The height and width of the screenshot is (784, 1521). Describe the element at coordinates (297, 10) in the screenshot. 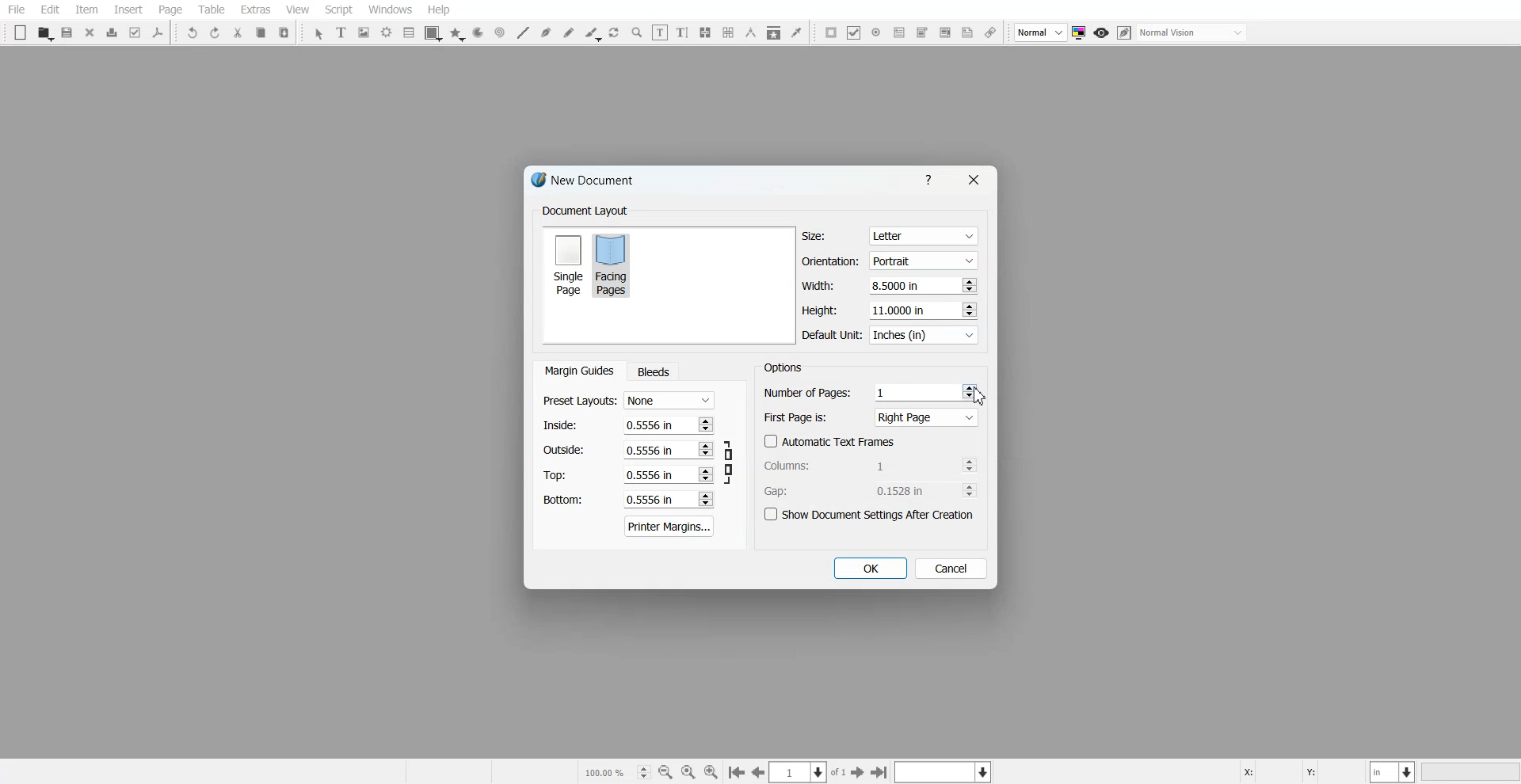

I see `View` at that location.